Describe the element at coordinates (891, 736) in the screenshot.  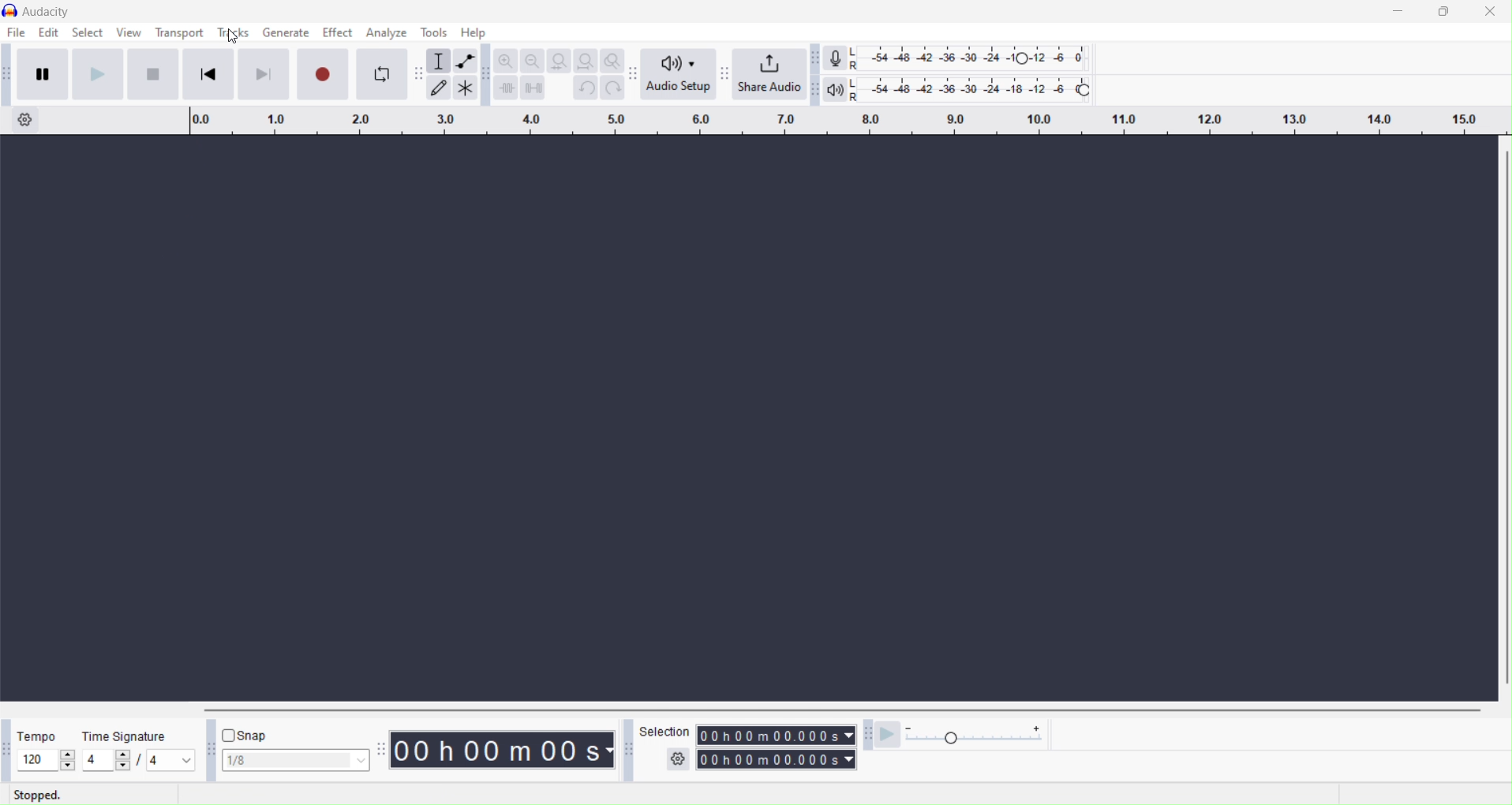
I see `Play at speed` at that location.